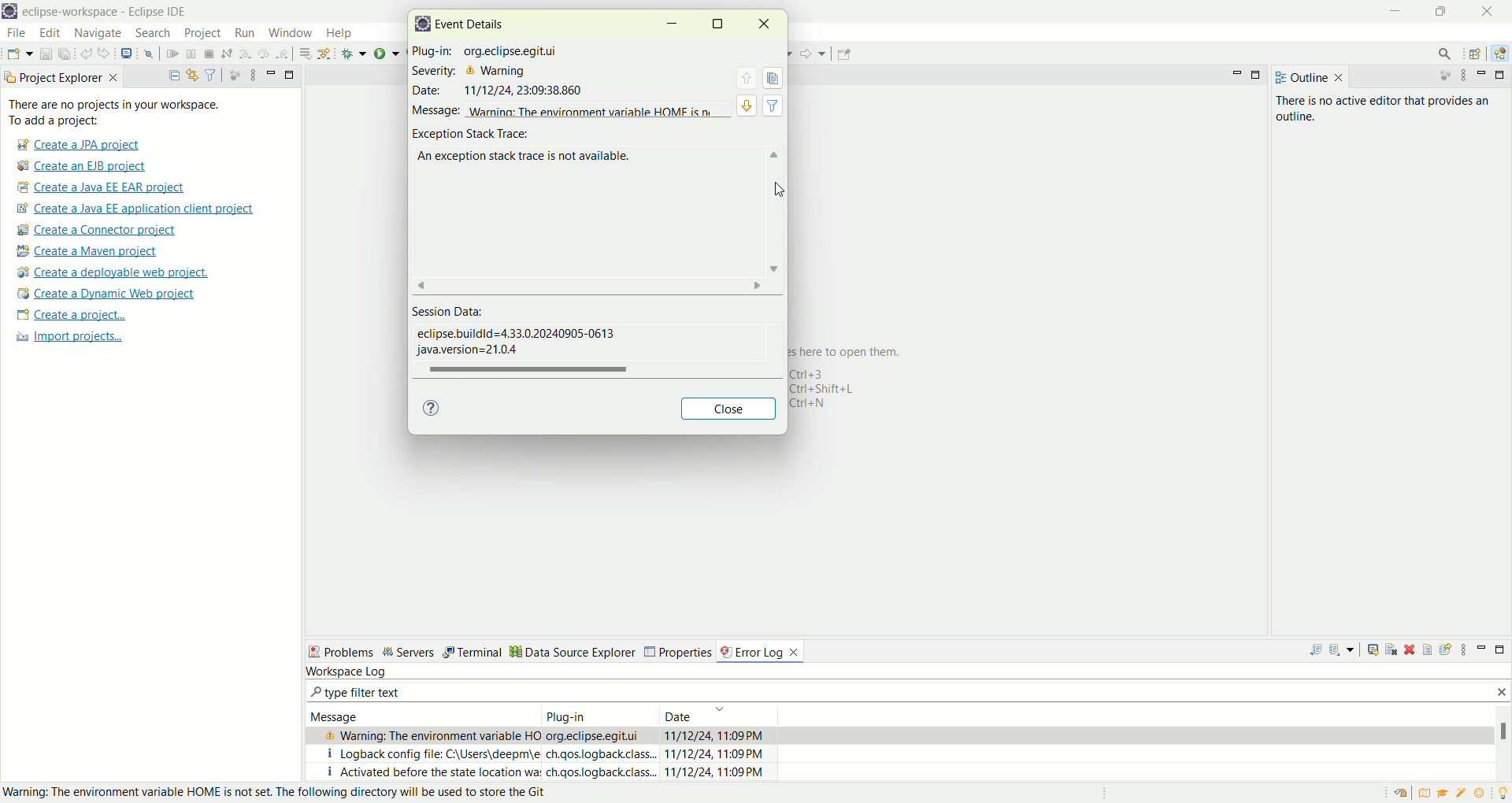  Describe the element at coordinates (337, 648) in the screenshot. I see ` Problems` at that location.